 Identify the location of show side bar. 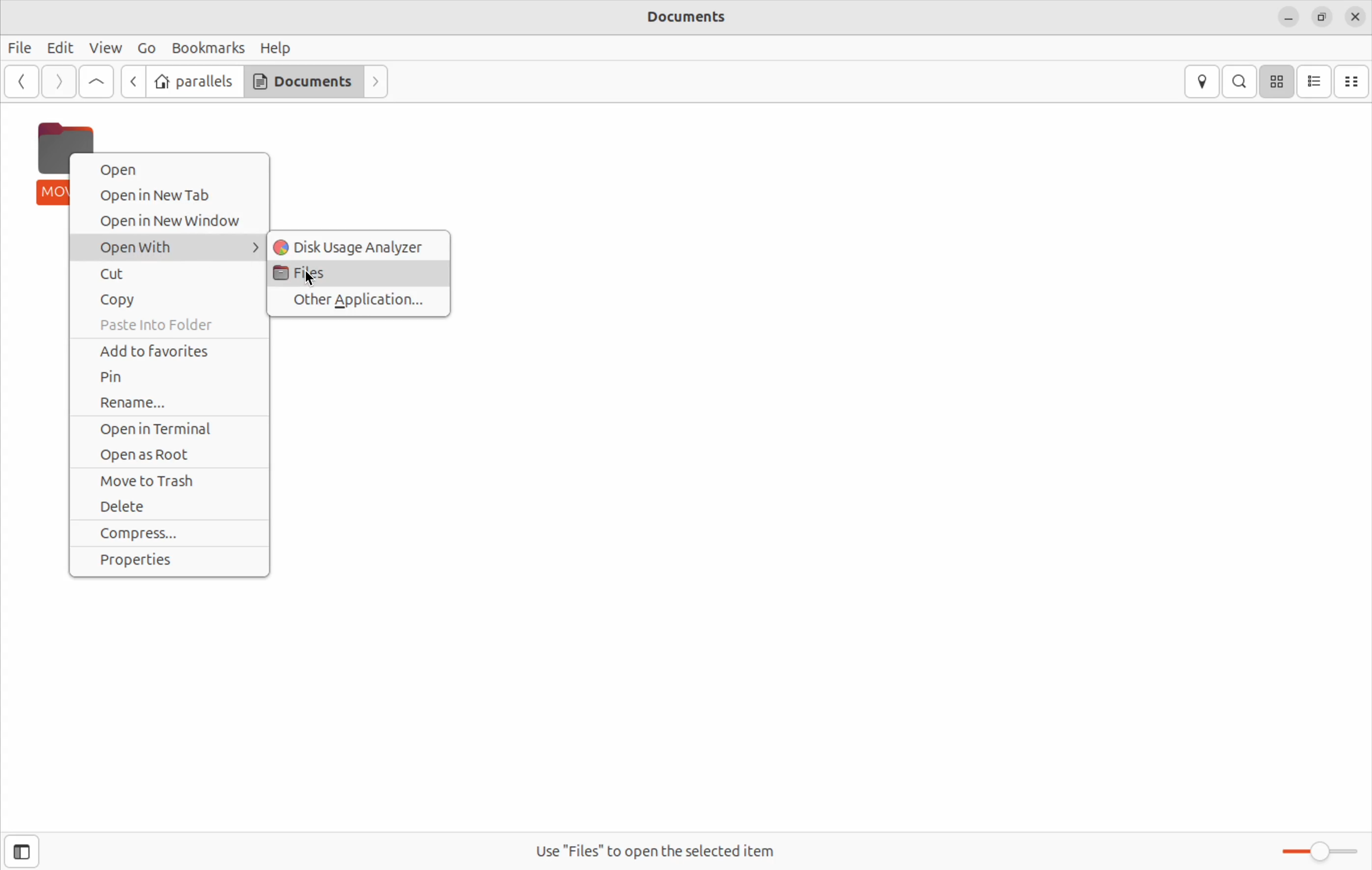
(21, 851).